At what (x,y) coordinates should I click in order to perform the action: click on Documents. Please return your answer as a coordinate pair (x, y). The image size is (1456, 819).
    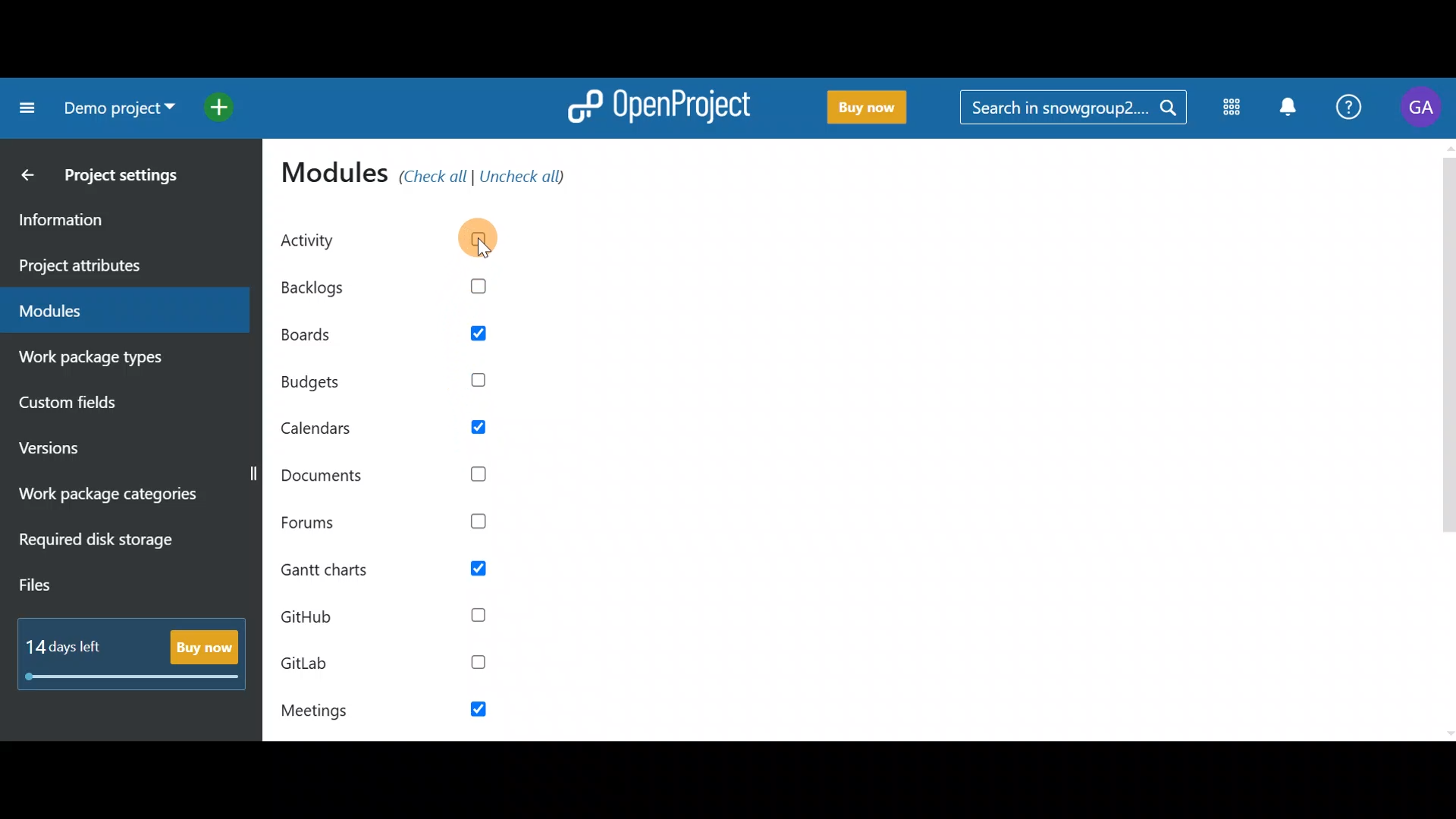
    Looking at the image, I should click on (392, 472).